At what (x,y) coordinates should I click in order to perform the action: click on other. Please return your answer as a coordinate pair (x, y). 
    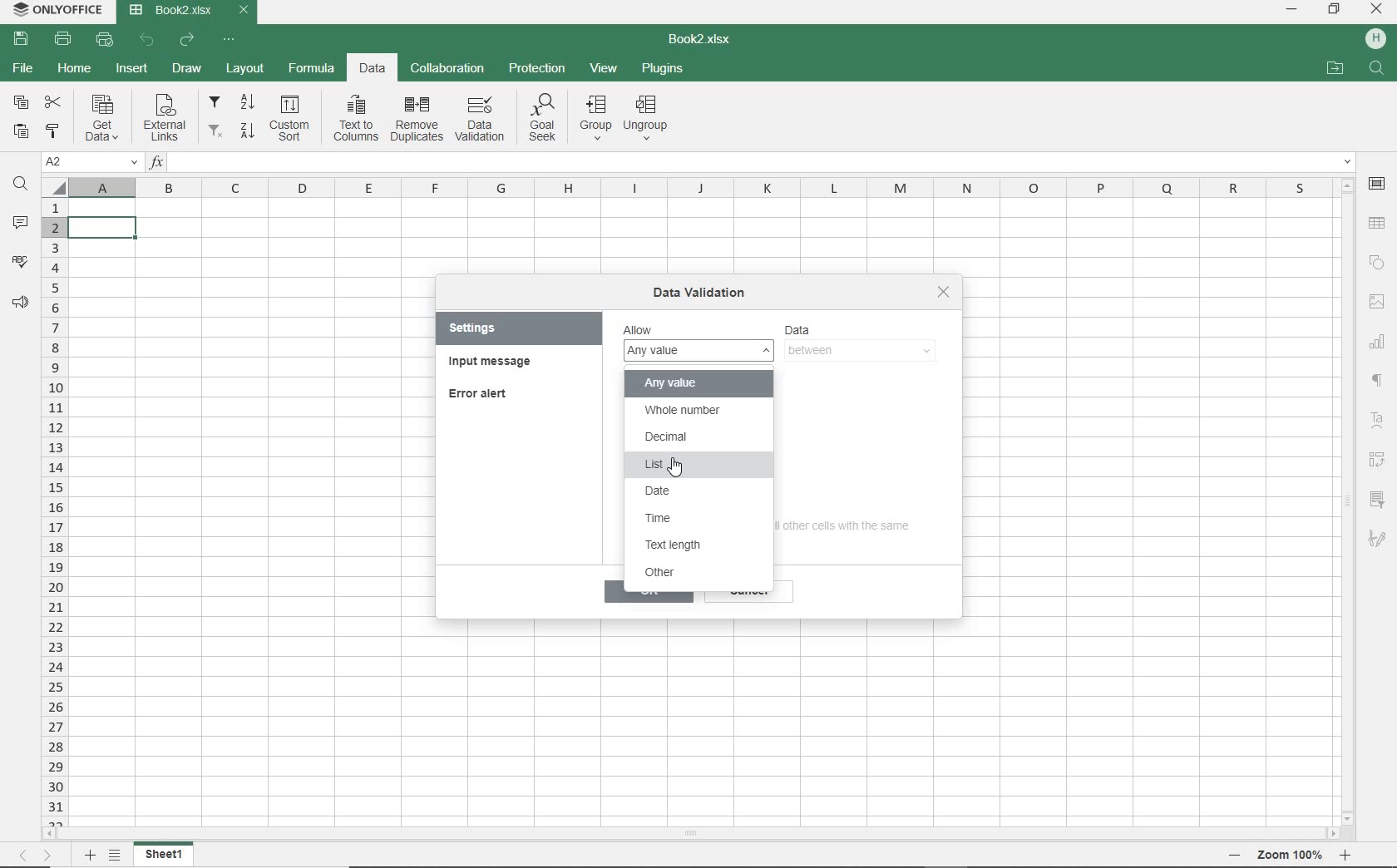
    Looking at the image, I should click on (666, 573).